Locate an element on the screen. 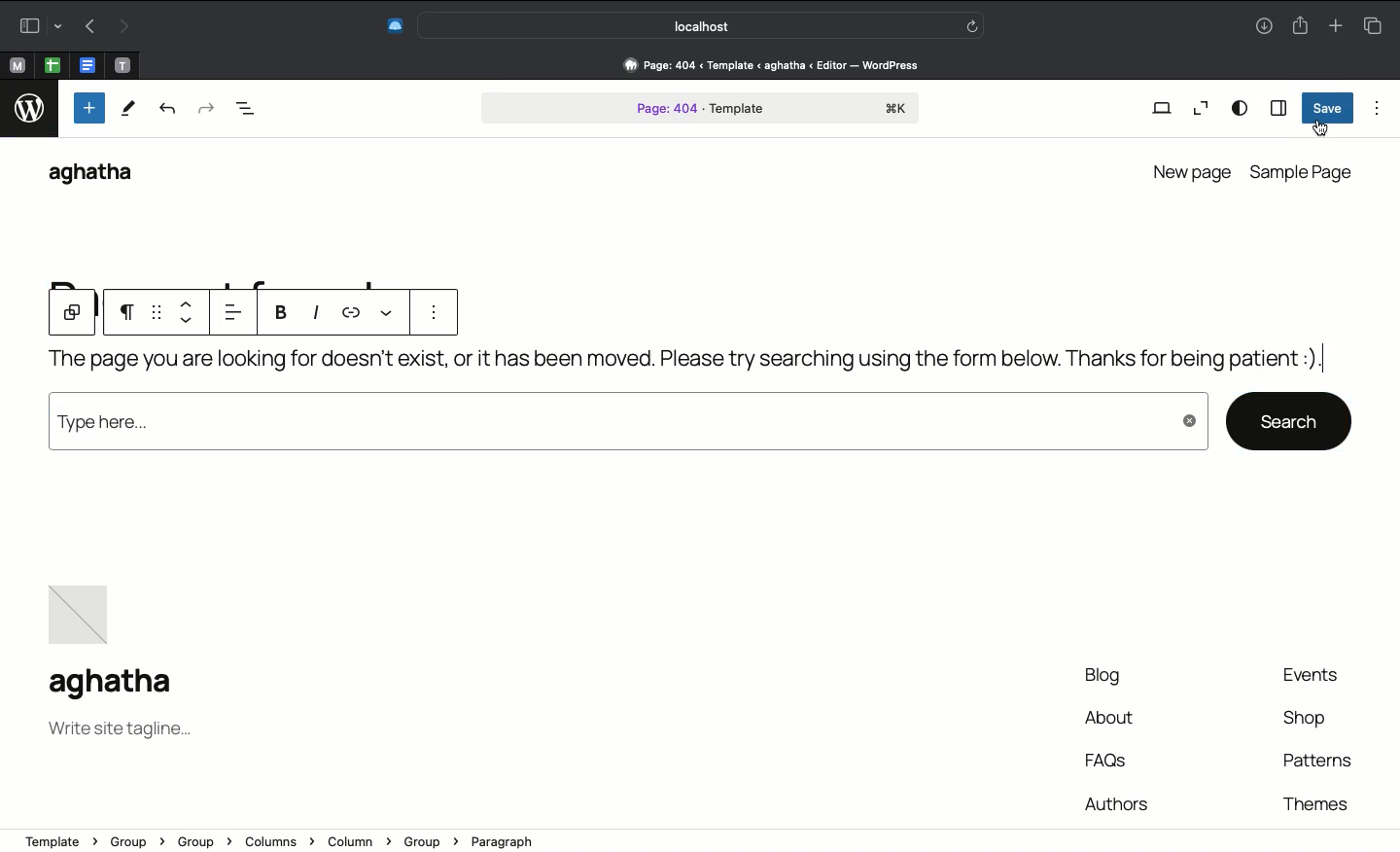 The image size is (1400, 852). About is located at coordinates (1110, 720).